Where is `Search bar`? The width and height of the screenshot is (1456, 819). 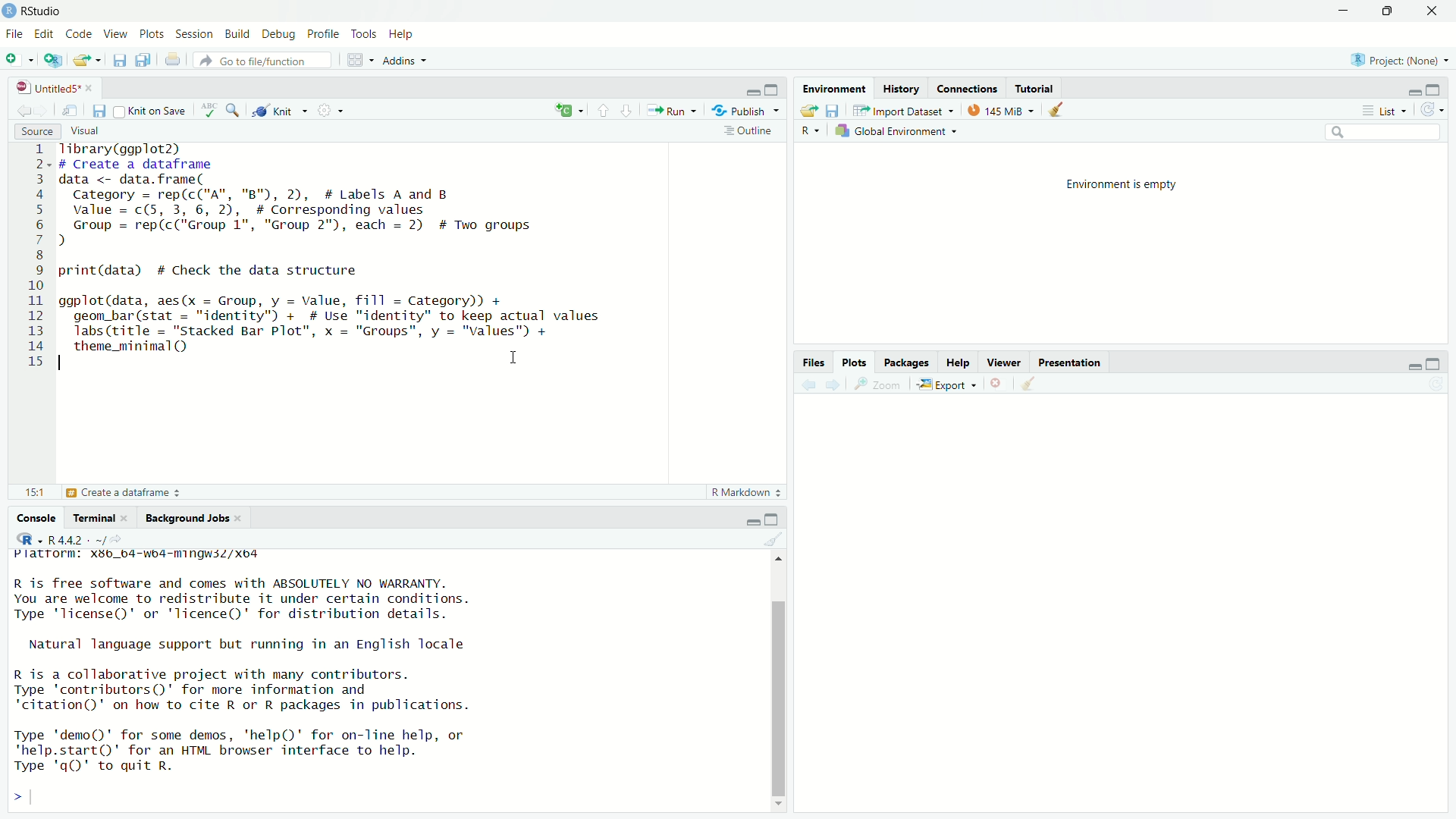
Search bar is located at coordinates (1372, 132).